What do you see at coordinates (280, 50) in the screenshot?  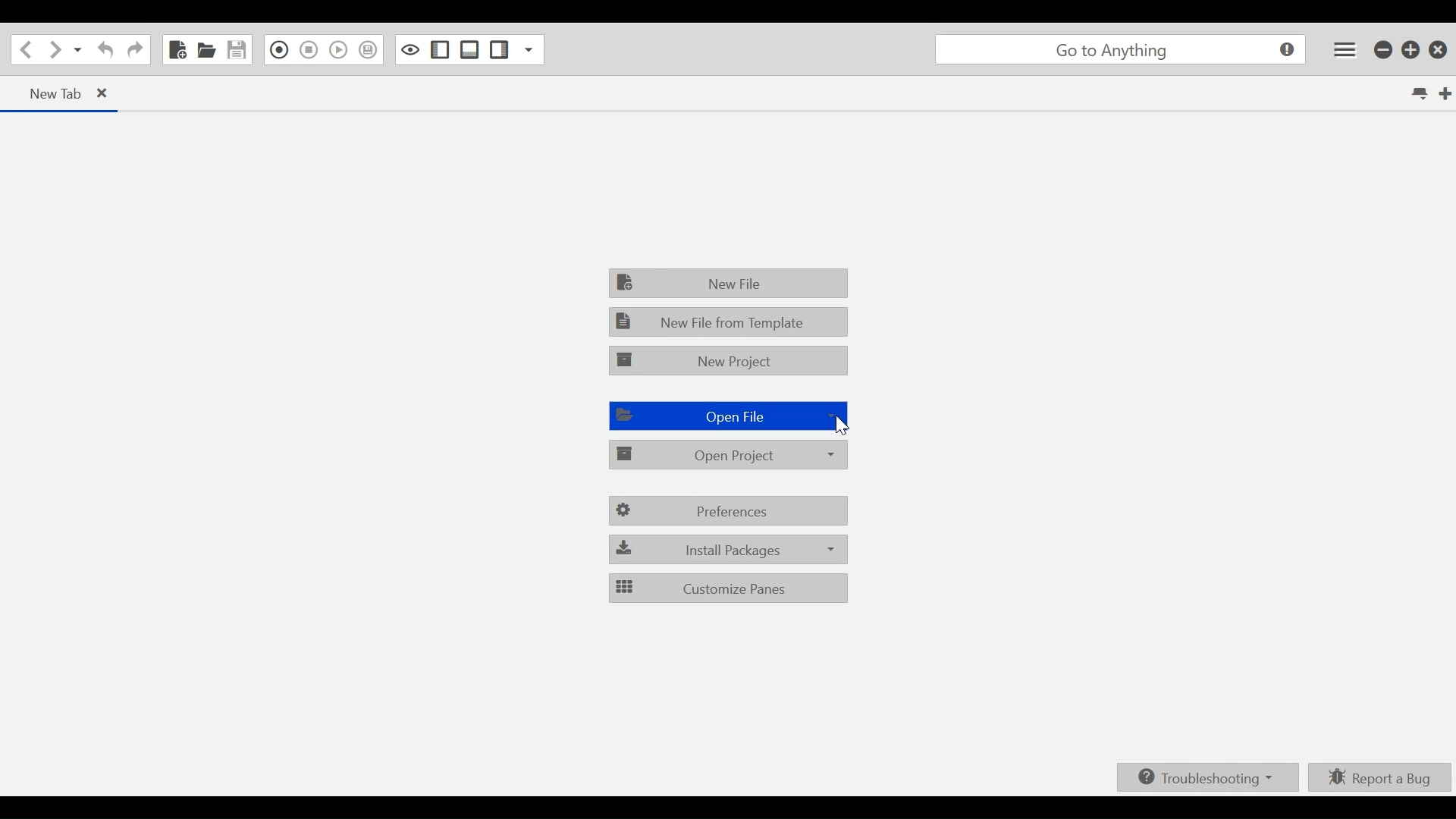 I see `Recording in Macro` at bounding box center [280, 50].